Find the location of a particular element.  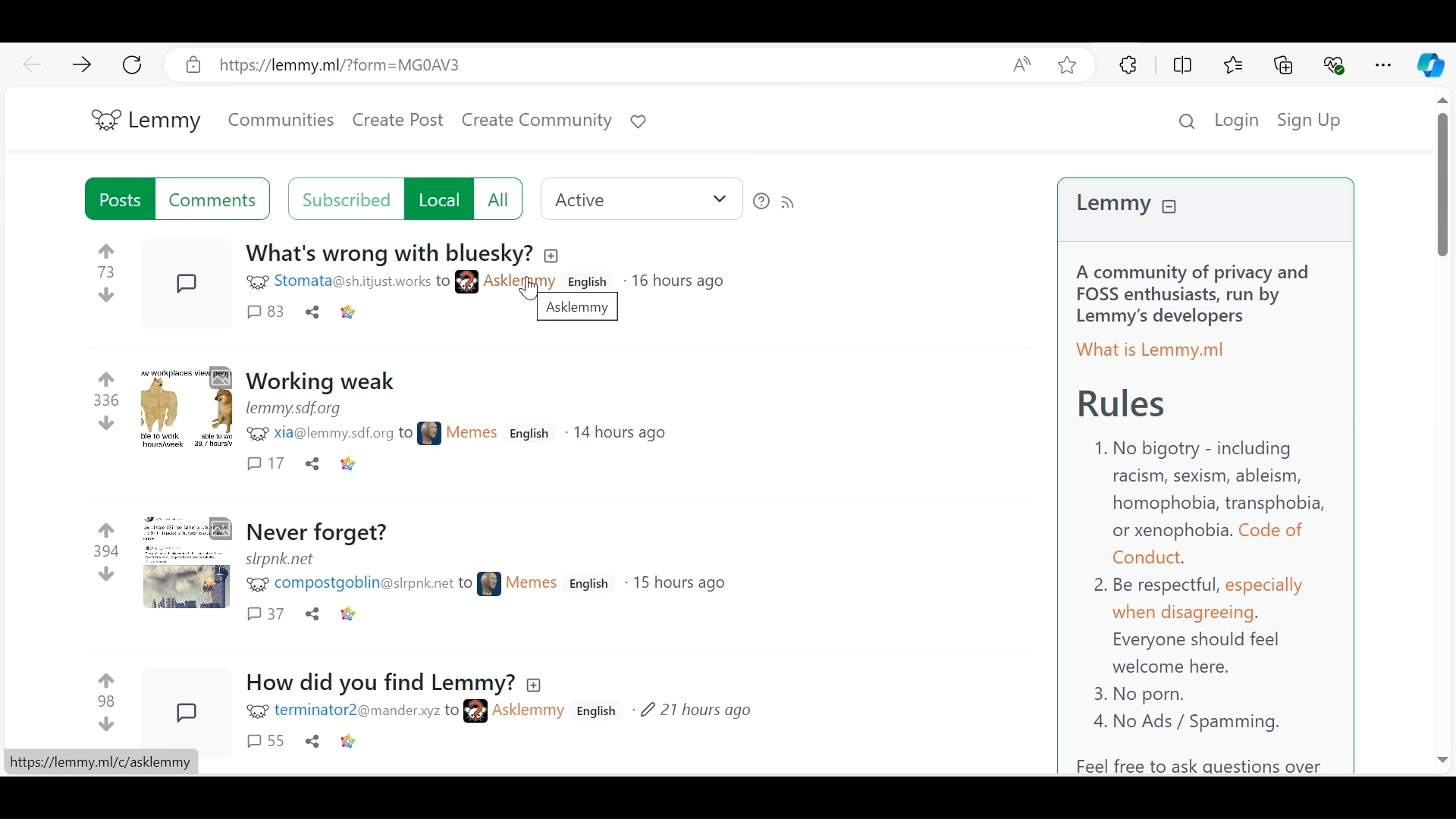

Sorting help is located at coordinates (762, 201).